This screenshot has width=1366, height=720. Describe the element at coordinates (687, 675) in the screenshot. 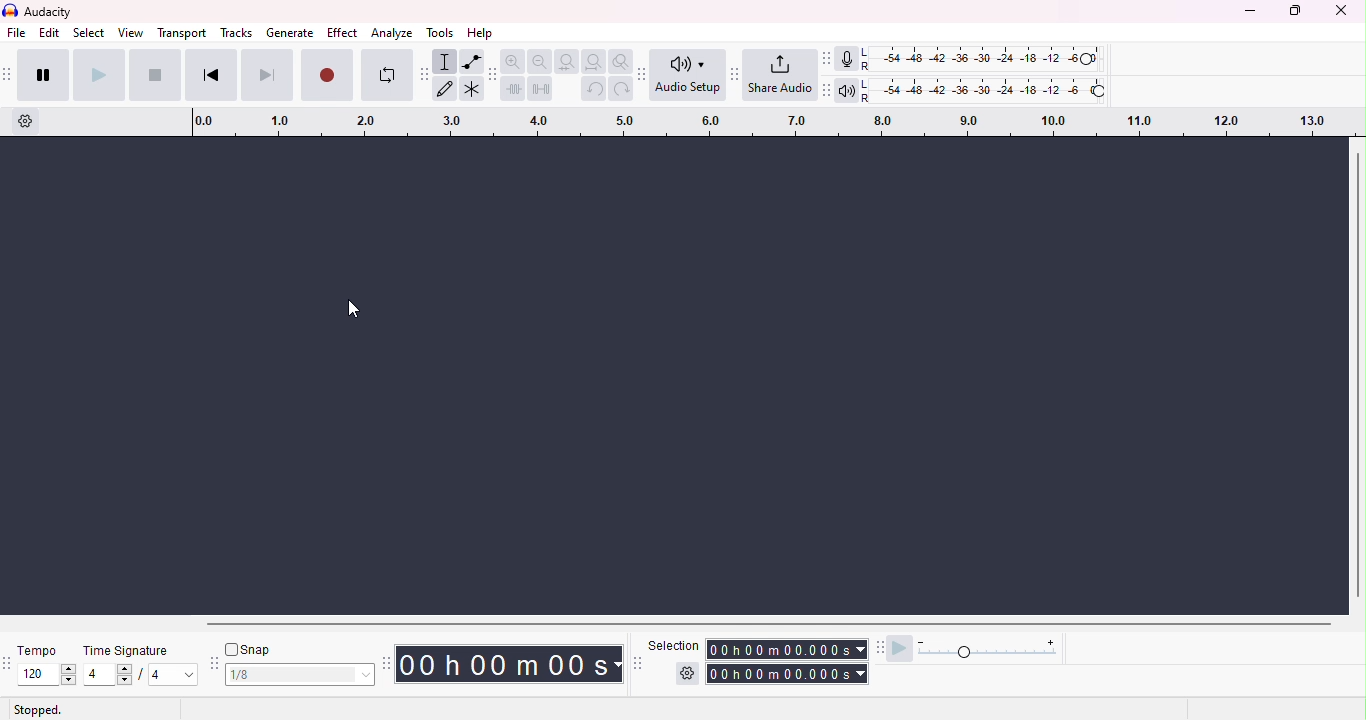

I see `selection options` at that location.